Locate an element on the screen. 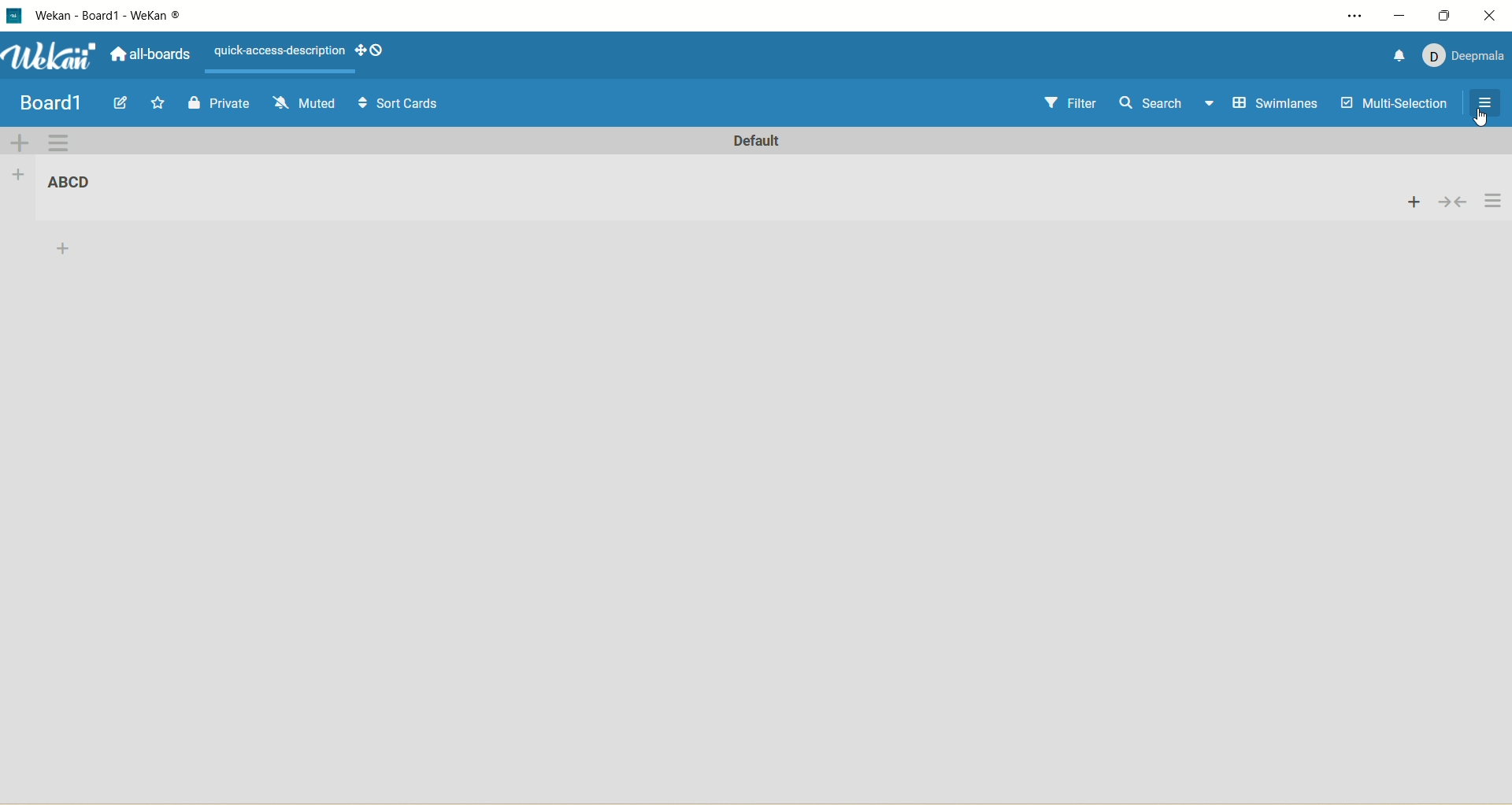  maximize is located at coordinates (1443, 16).